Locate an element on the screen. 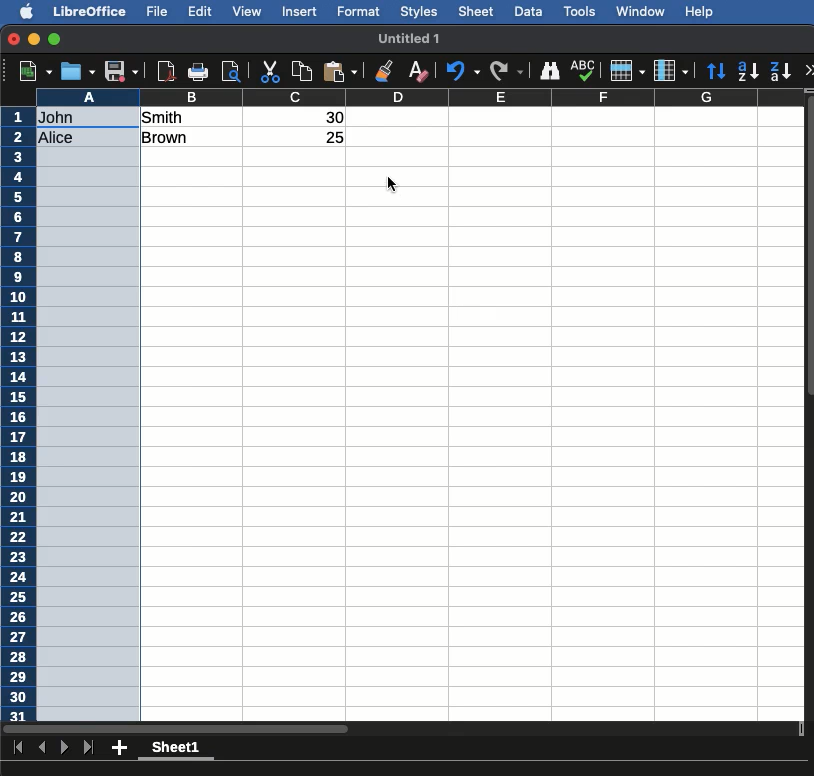  Previous sheet is located at coordinates (42, 746).